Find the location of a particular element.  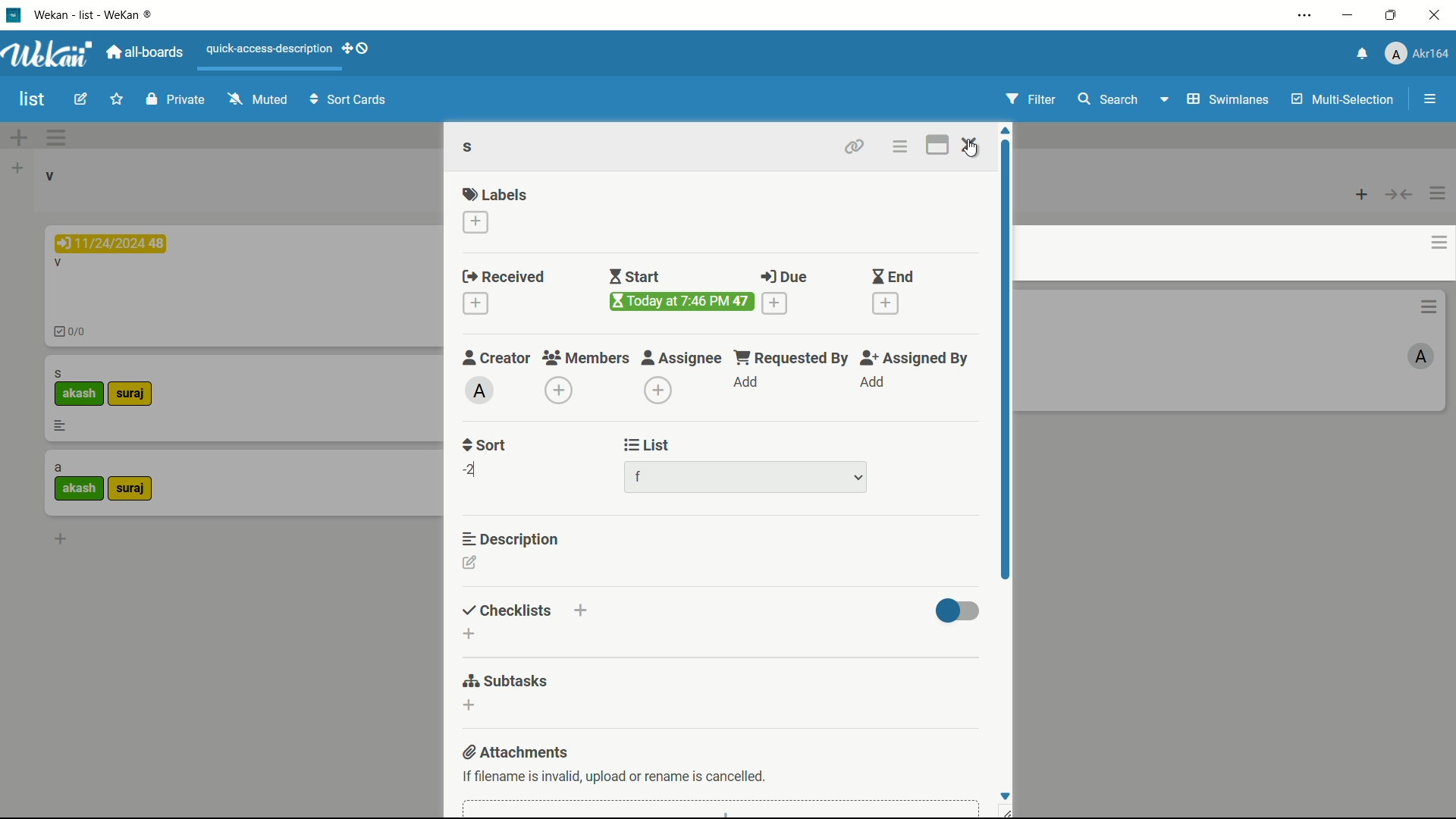

due is located at coordinates (780, 277).